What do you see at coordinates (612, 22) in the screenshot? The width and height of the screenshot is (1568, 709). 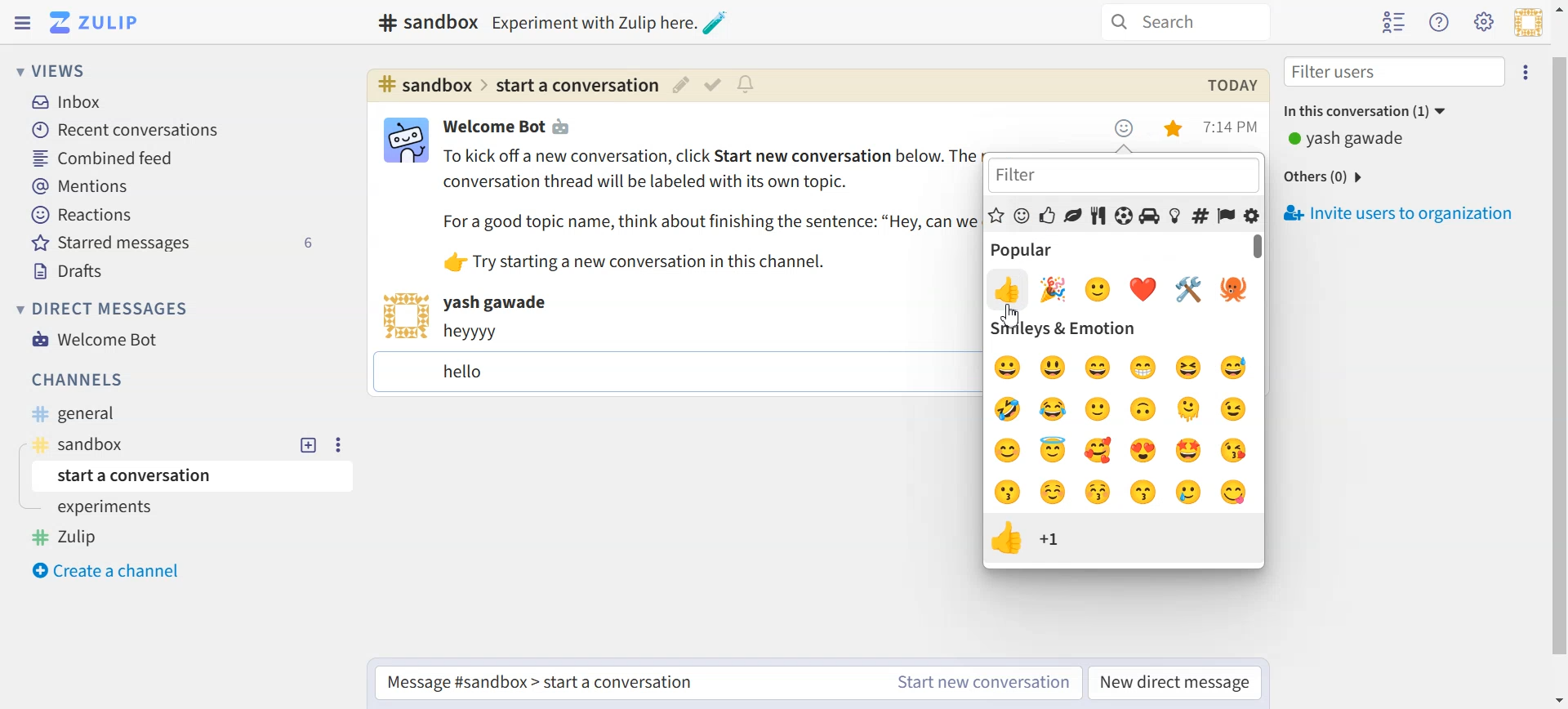 I see `` at bounding box center [612, 22].